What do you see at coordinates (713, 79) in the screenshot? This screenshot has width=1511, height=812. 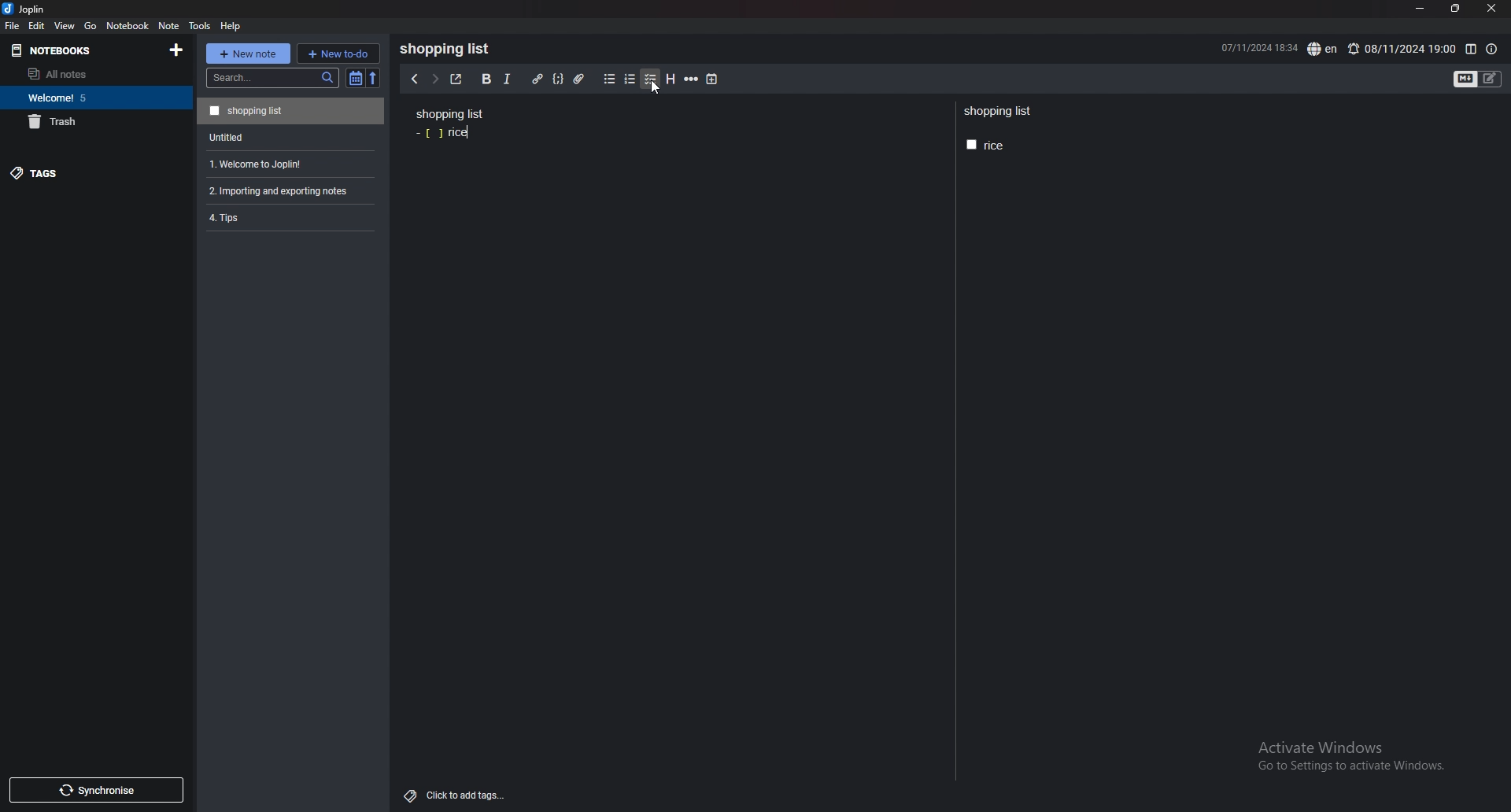 I see `add time` at bounding box center [713, 79].